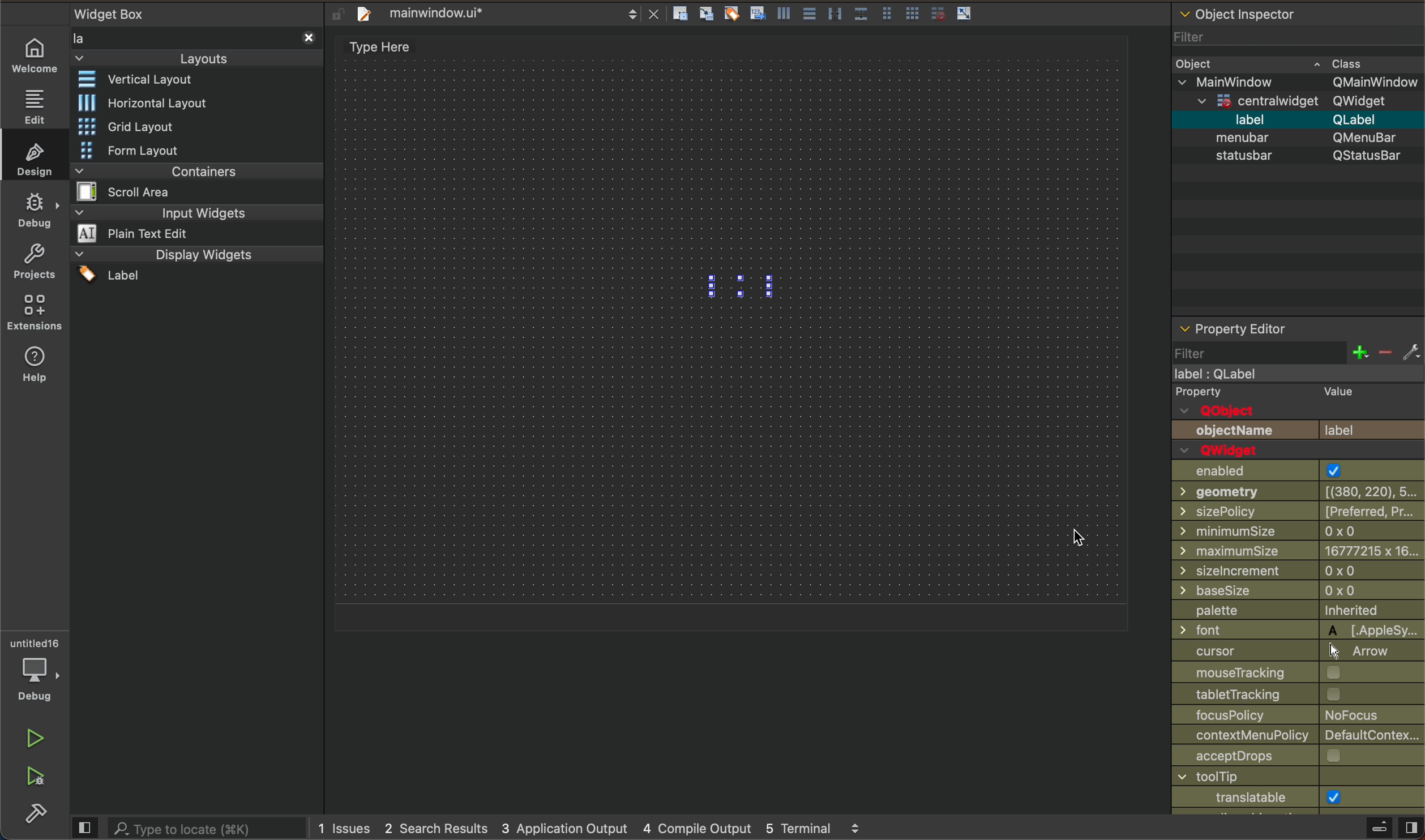  I want to click on build, so click(37, 816).